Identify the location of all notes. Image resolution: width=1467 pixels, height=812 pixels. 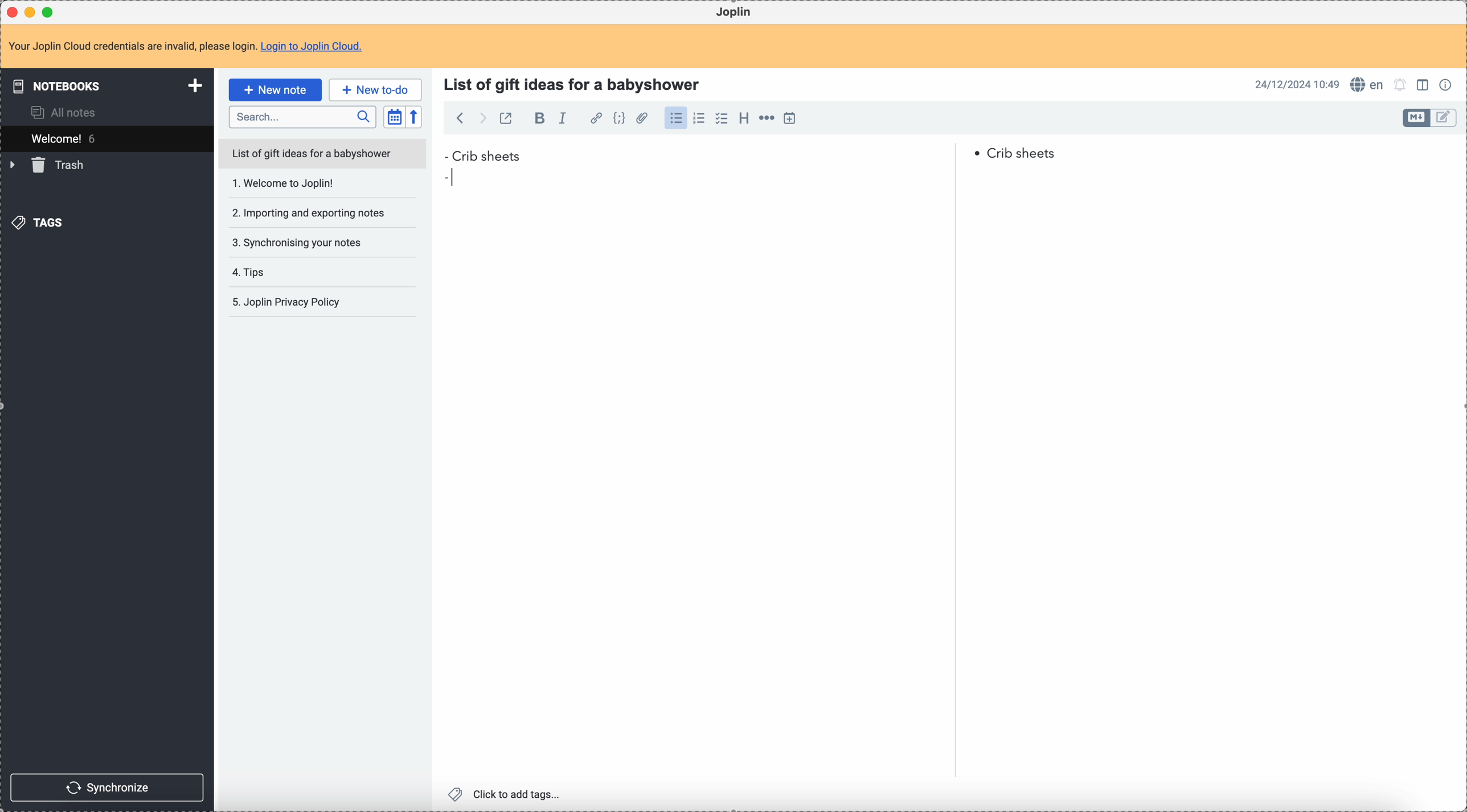
(65, 112).